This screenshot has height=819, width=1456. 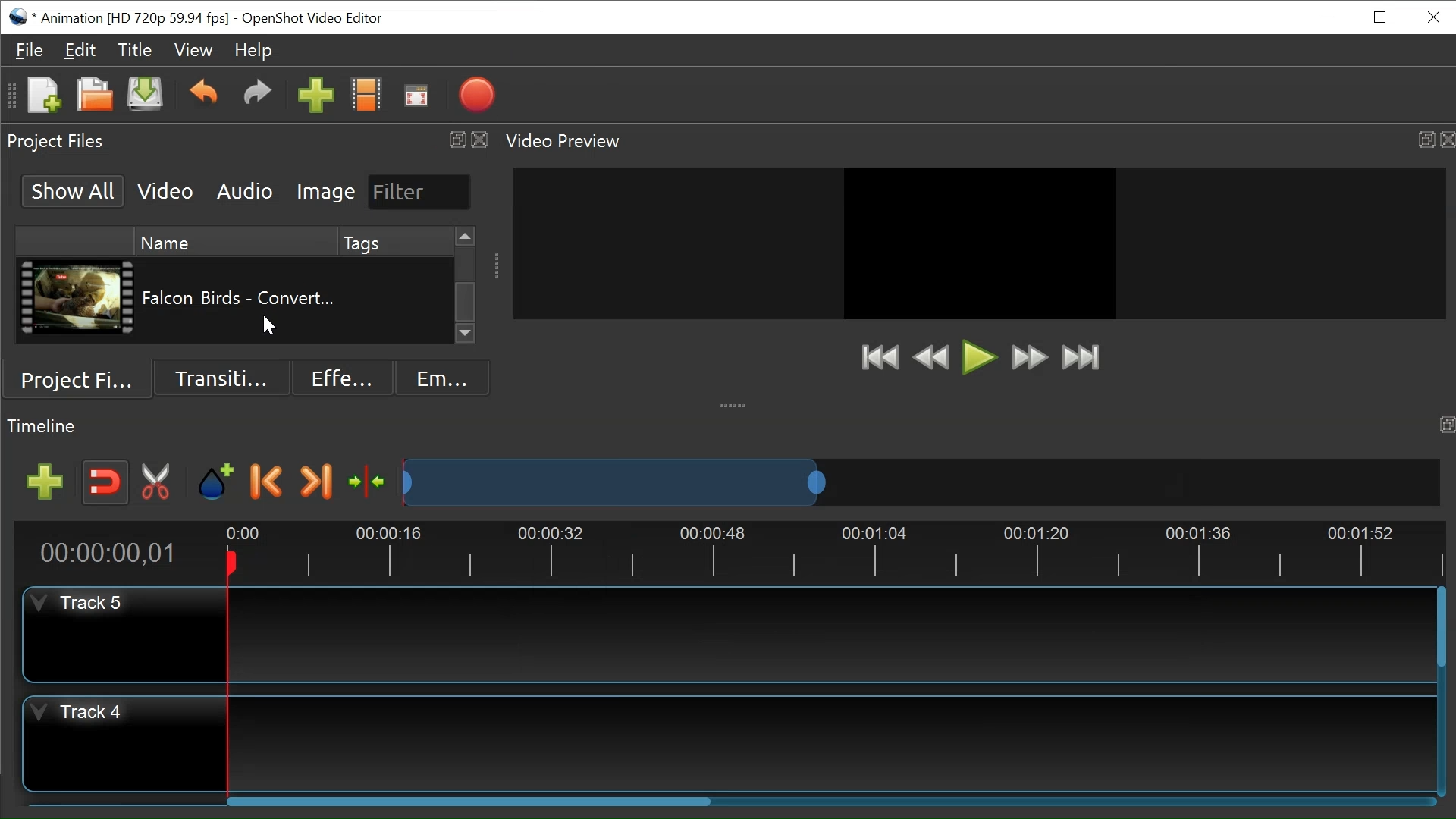 What do you see at coordinates (832, 745) in the screenshot?
I see `Track Panel` at bounding box center [832, 745].